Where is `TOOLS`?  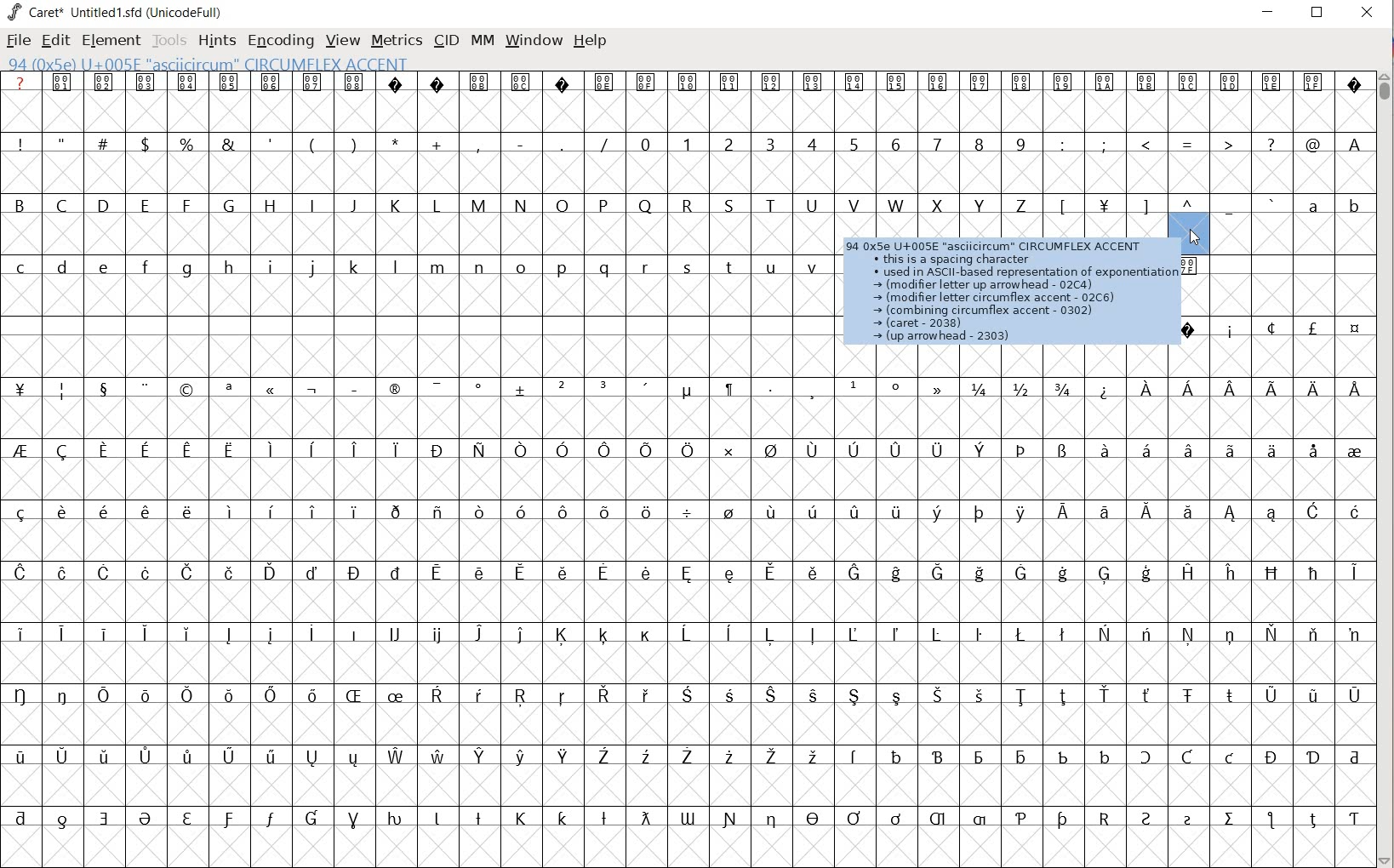
TOOLS is located at coordinates (169, 40).